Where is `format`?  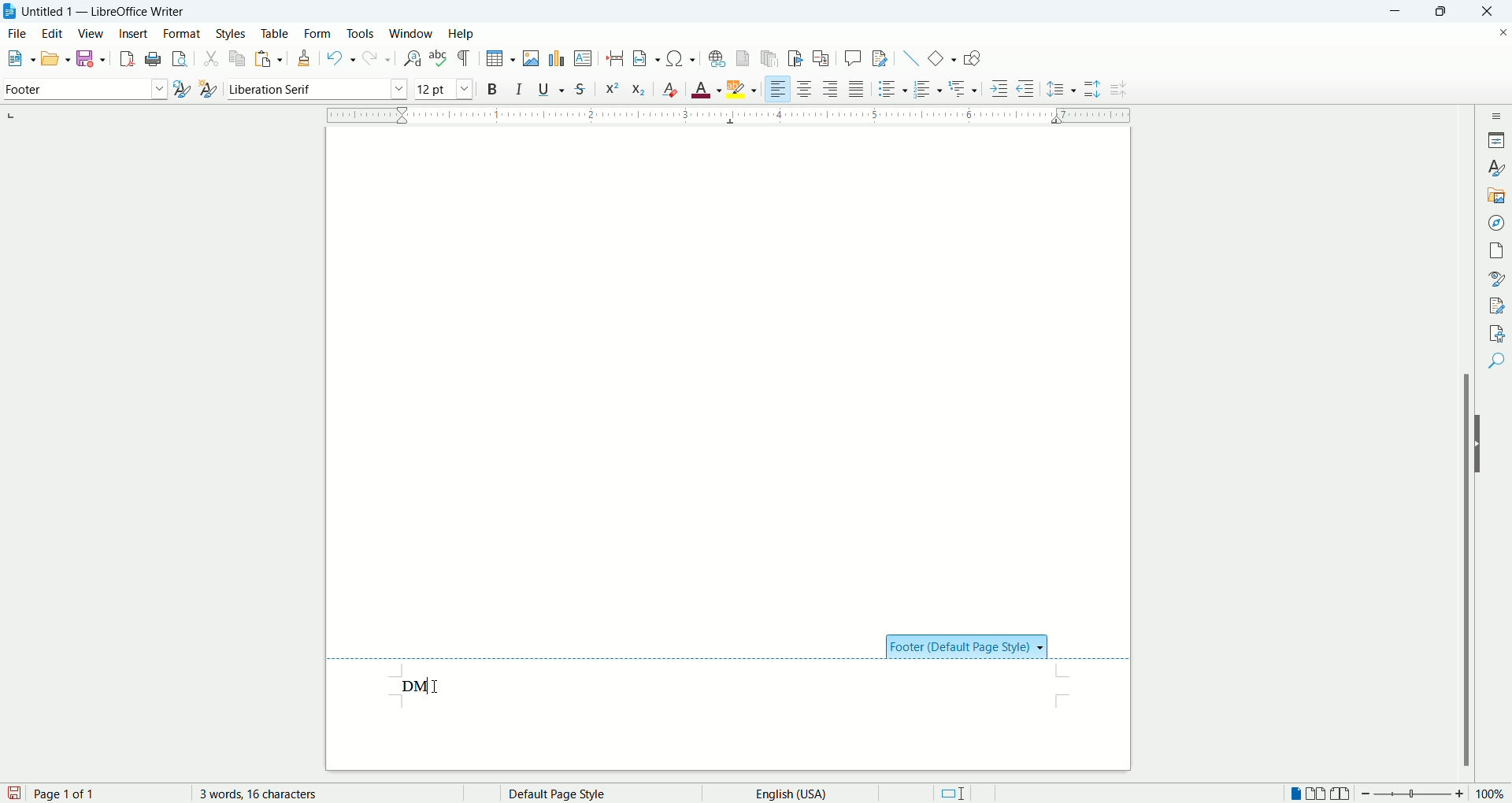
format is located at coordinates (181, 34).